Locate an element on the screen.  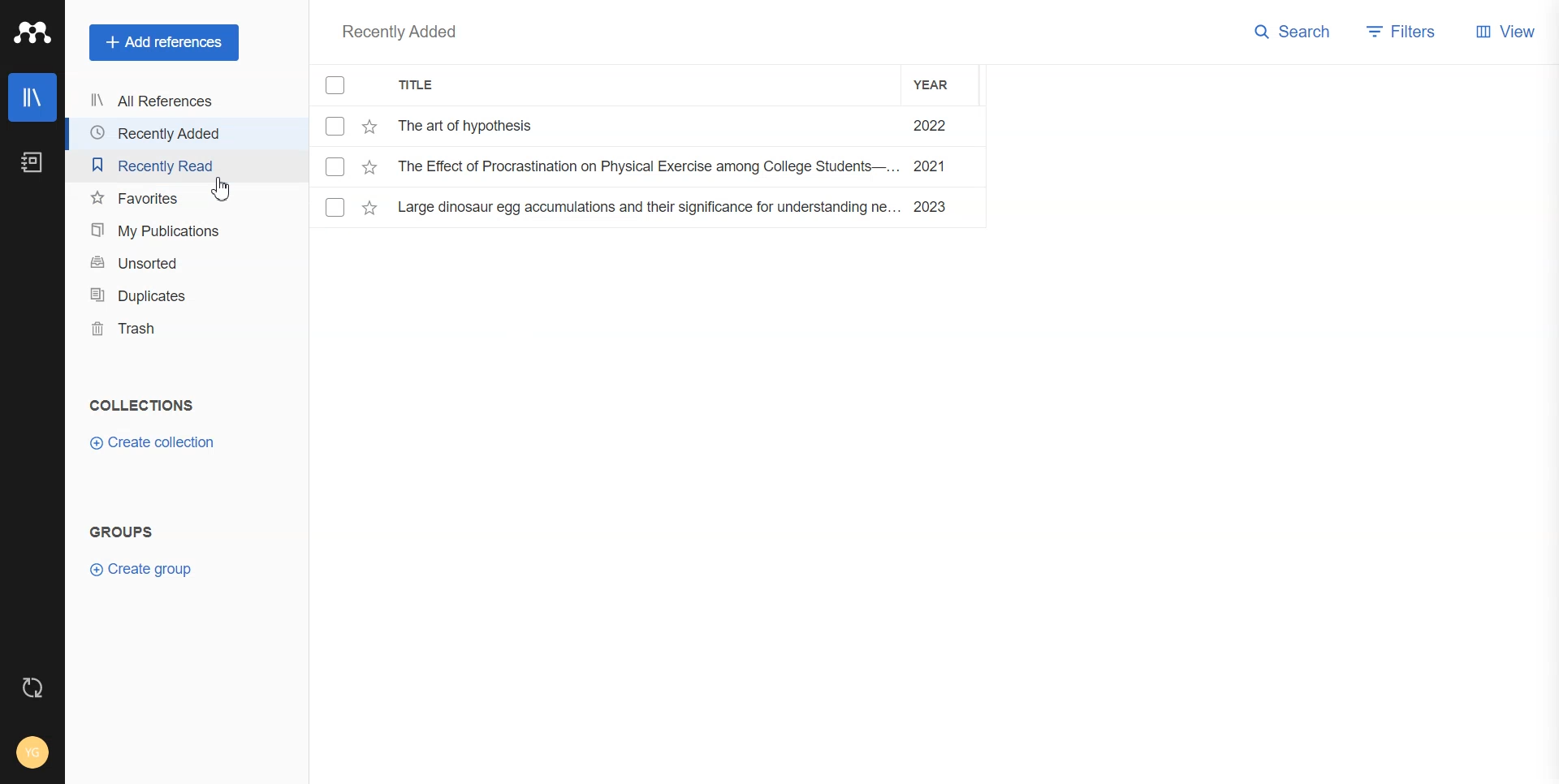
File is located at coordinates (649, 166).